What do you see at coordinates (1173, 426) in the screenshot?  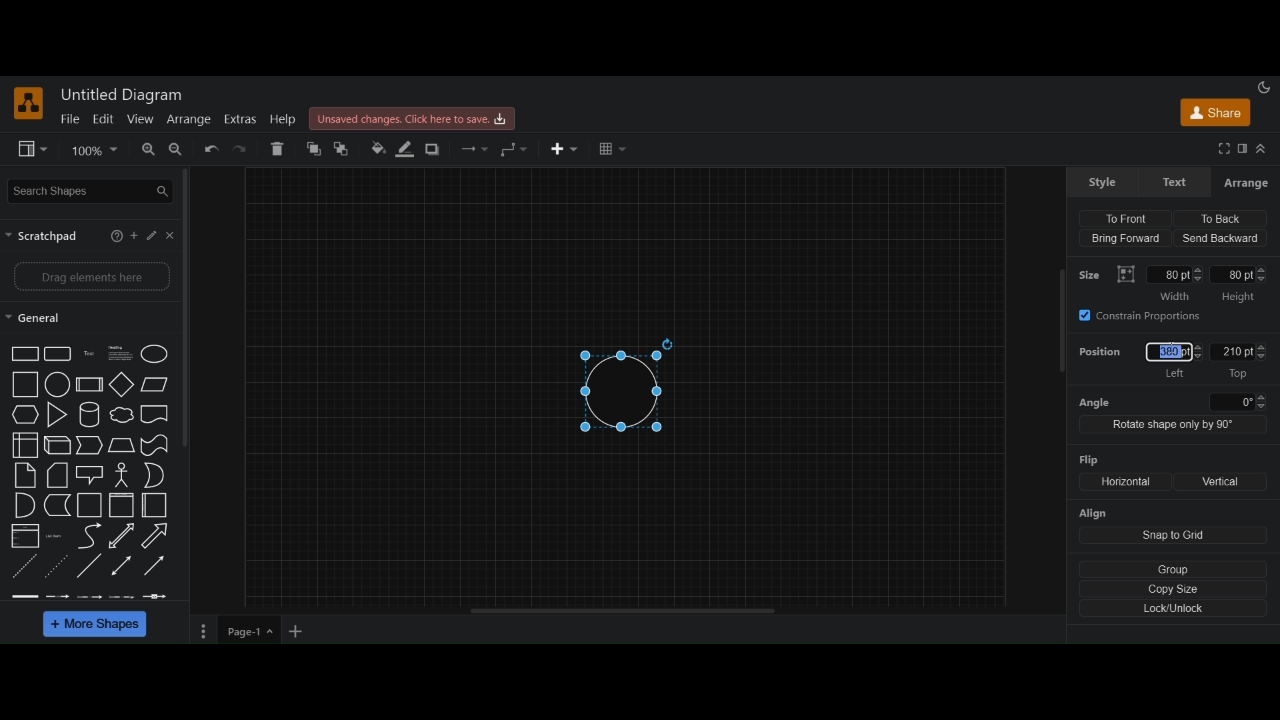 I see `rotate shape only bt 90 degree` at bounding box center [1173, 426].